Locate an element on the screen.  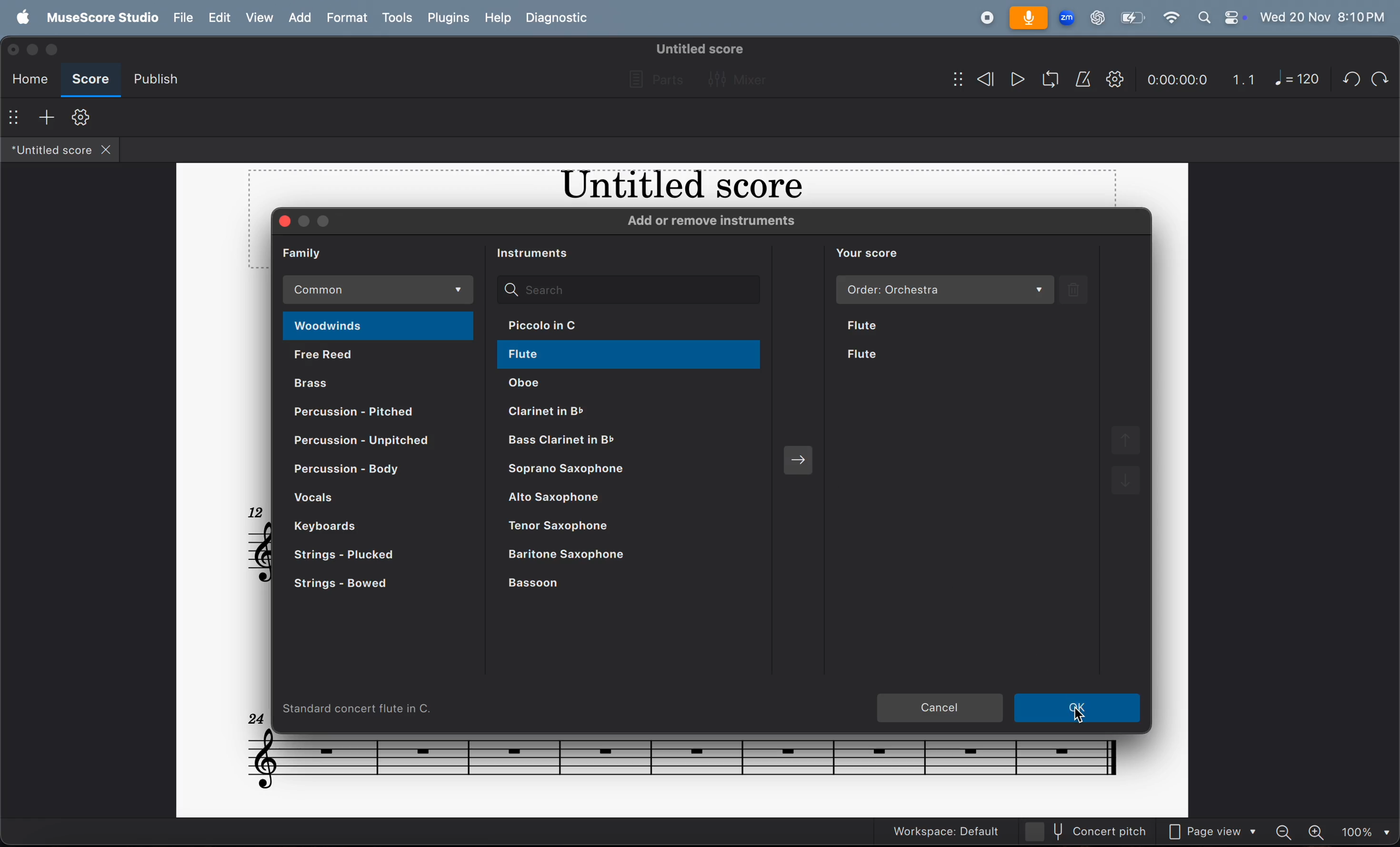
you score is located at coordinates (876, 253).